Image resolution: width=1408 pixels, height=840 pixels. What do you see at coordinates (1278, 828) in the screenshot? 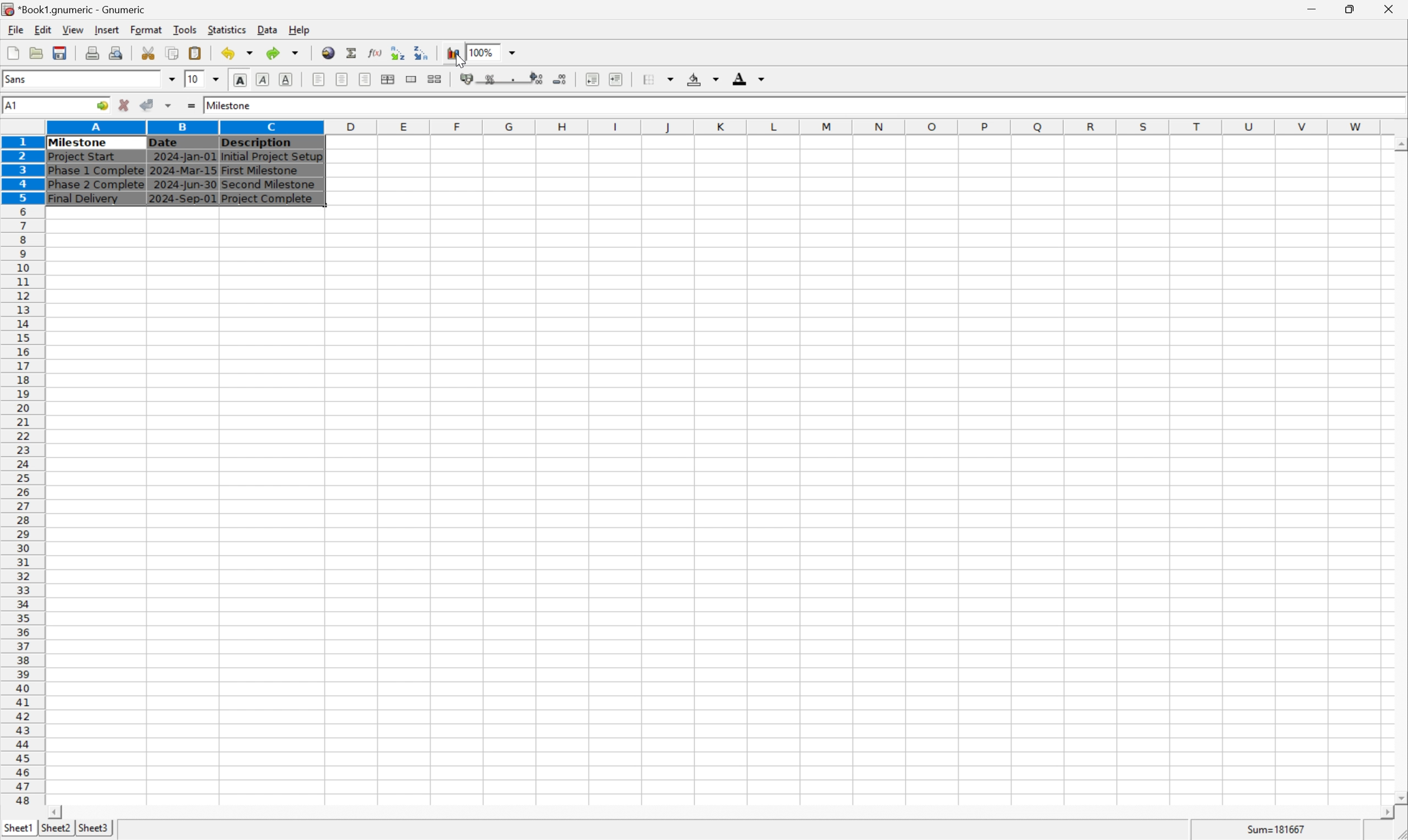
I see `Sum=181667` at bounding box center [1278, 828].